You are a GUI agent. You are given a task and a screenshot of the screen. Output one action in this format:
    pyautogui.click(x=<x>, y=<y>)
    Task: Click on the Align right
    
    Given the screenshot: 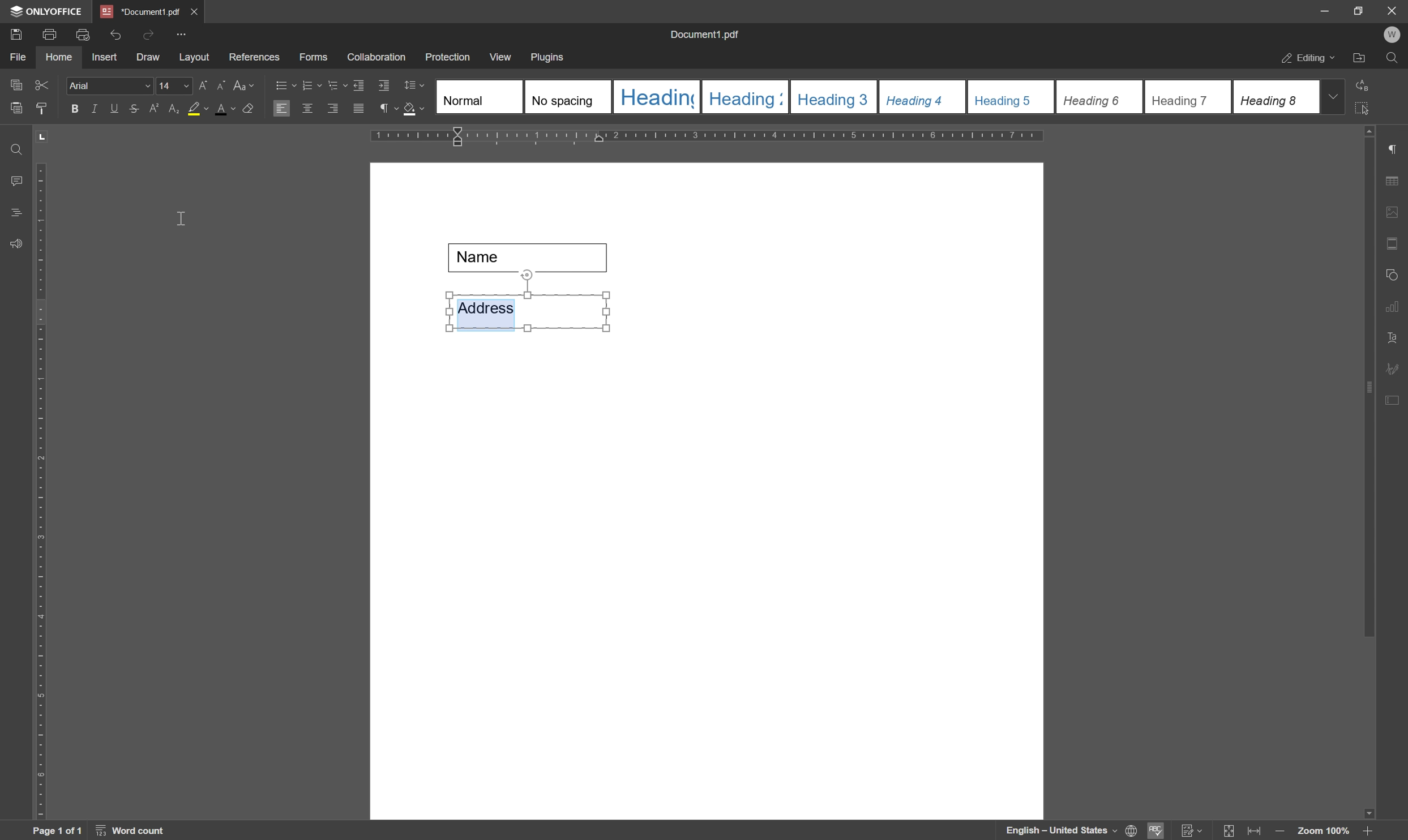 What is the action you would take?
    pyautogui.click(x=333, y=109)
    